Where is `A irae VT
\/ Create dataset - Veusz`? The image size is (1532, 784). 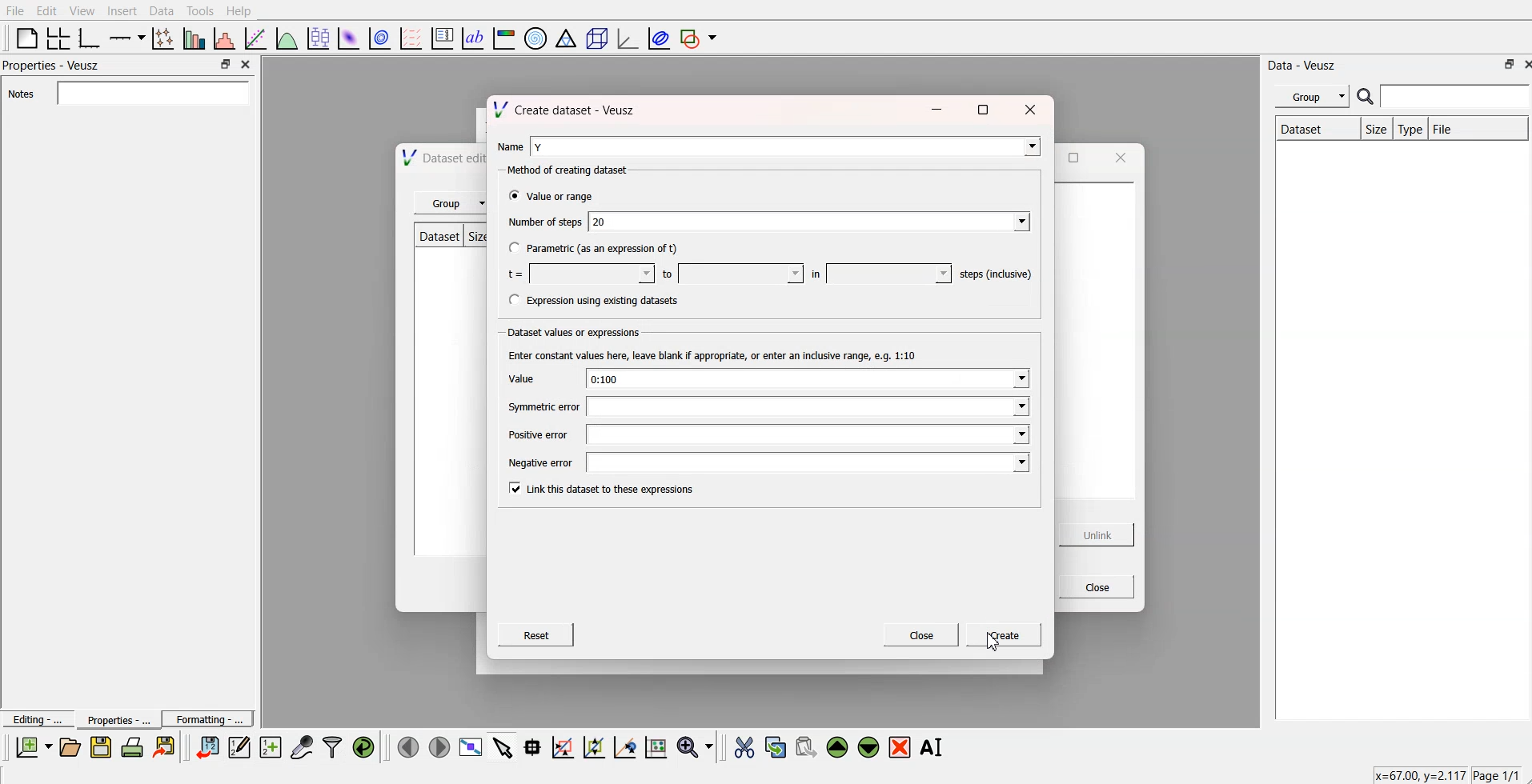 A irae VT
\/ Create dataset - Veusz is located at coordinates (564, 107).